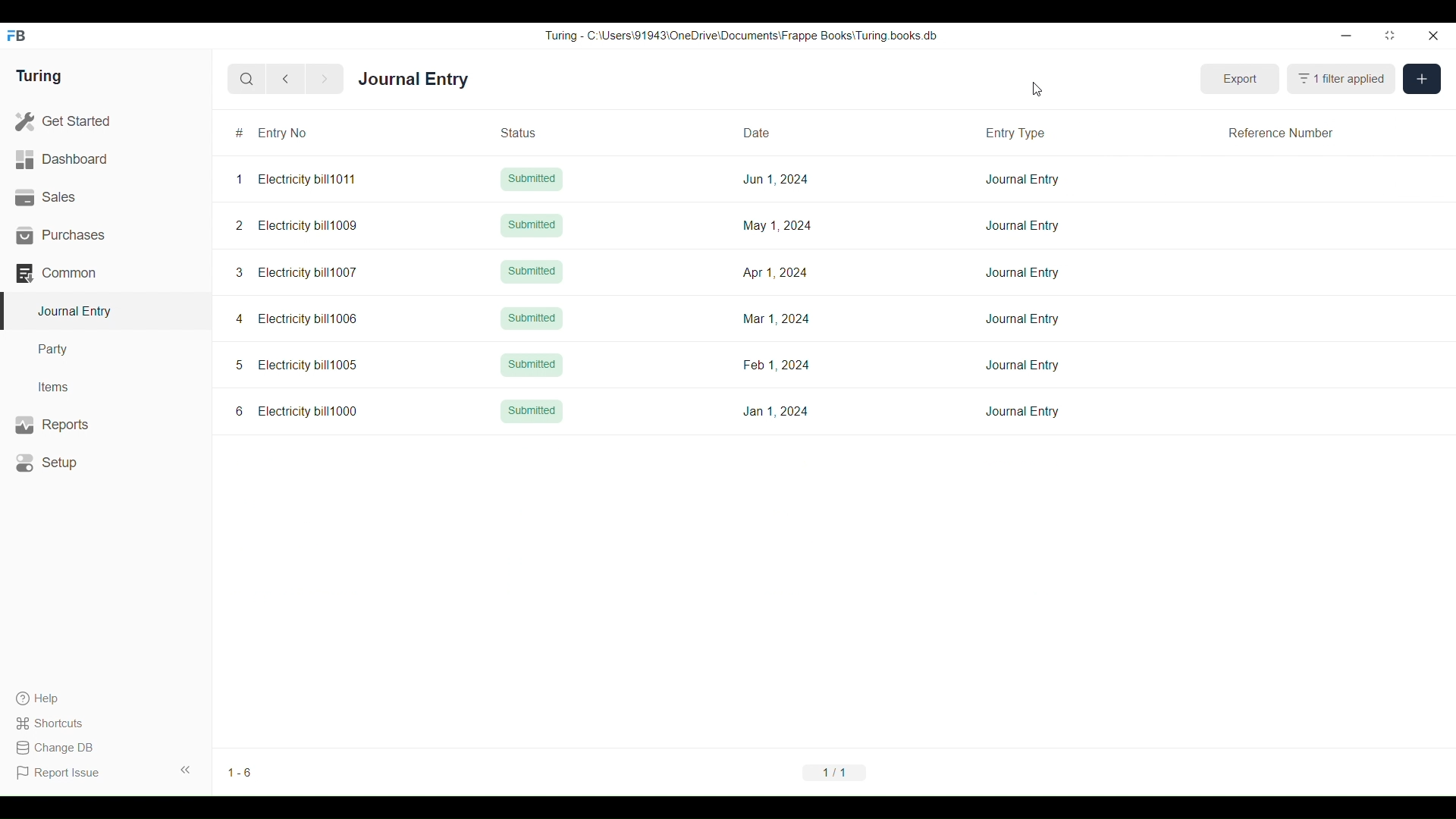 This screenshot has height=819, width=1456. Describe the element at coordinates (105, 197) in the screenshot. I see `Sales` at that location.